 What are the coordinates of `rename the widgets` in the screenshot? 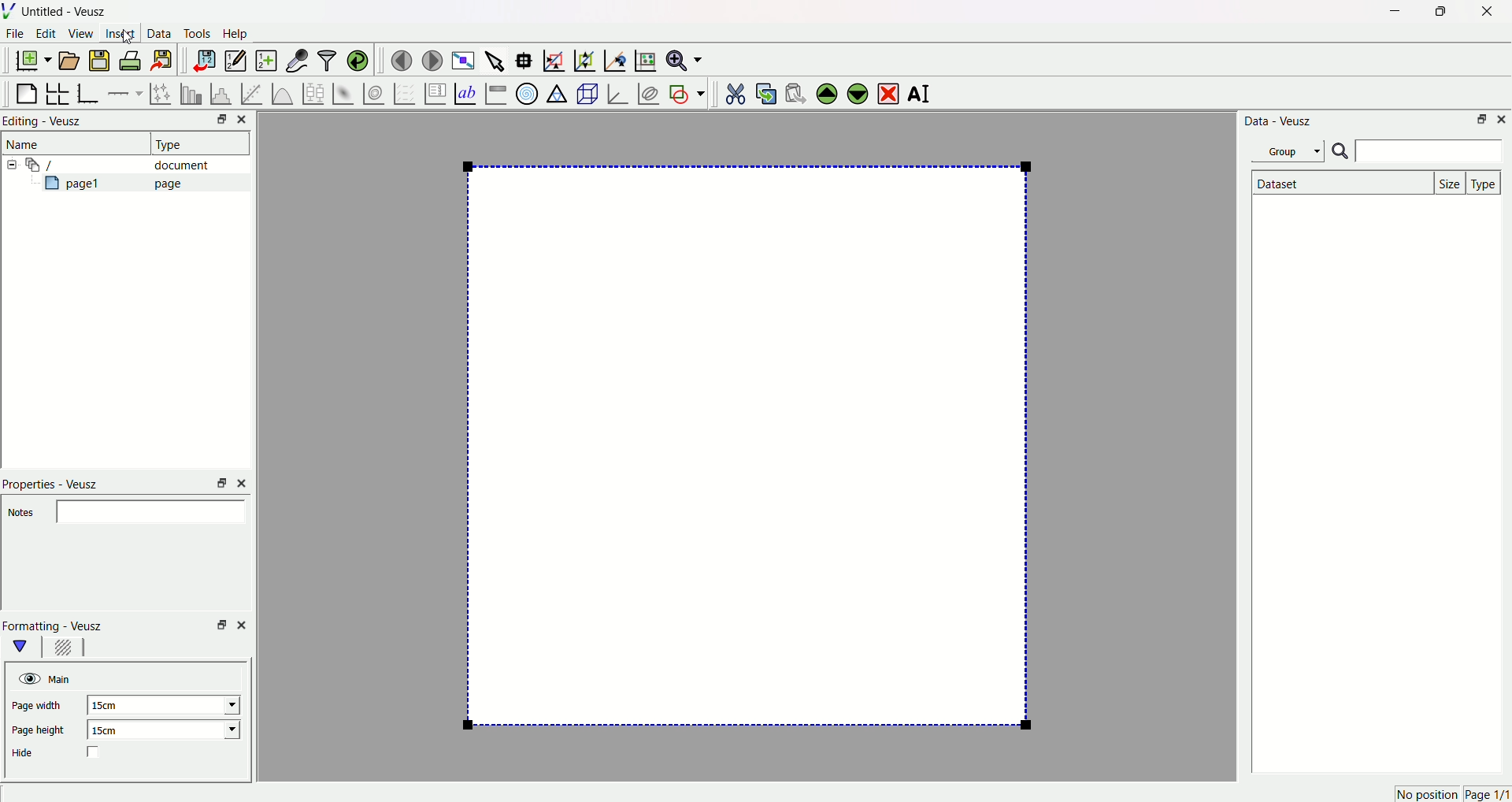 It's located at (921, 95).